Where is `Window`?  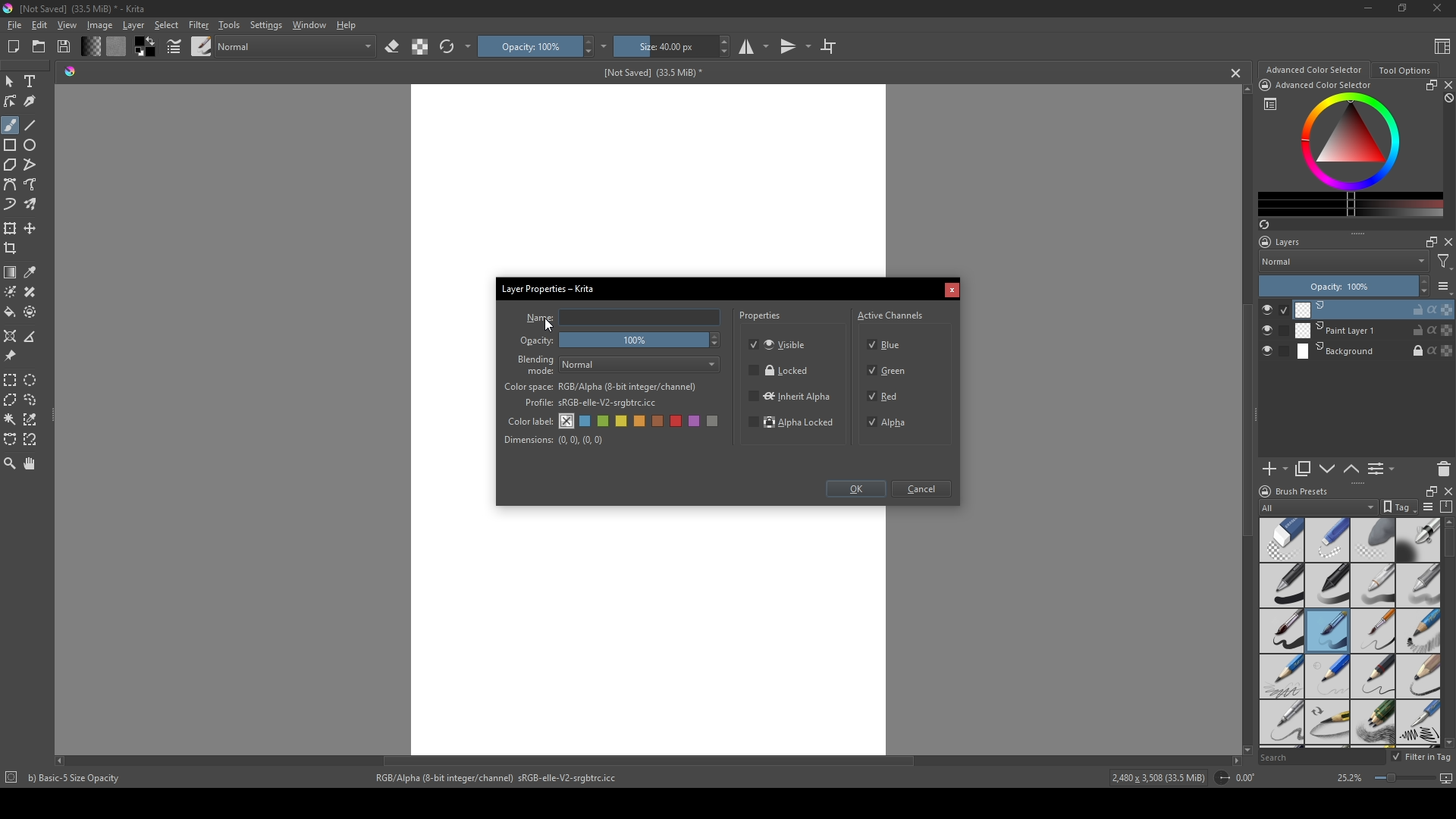
Window is located at coordinates (307, 24).